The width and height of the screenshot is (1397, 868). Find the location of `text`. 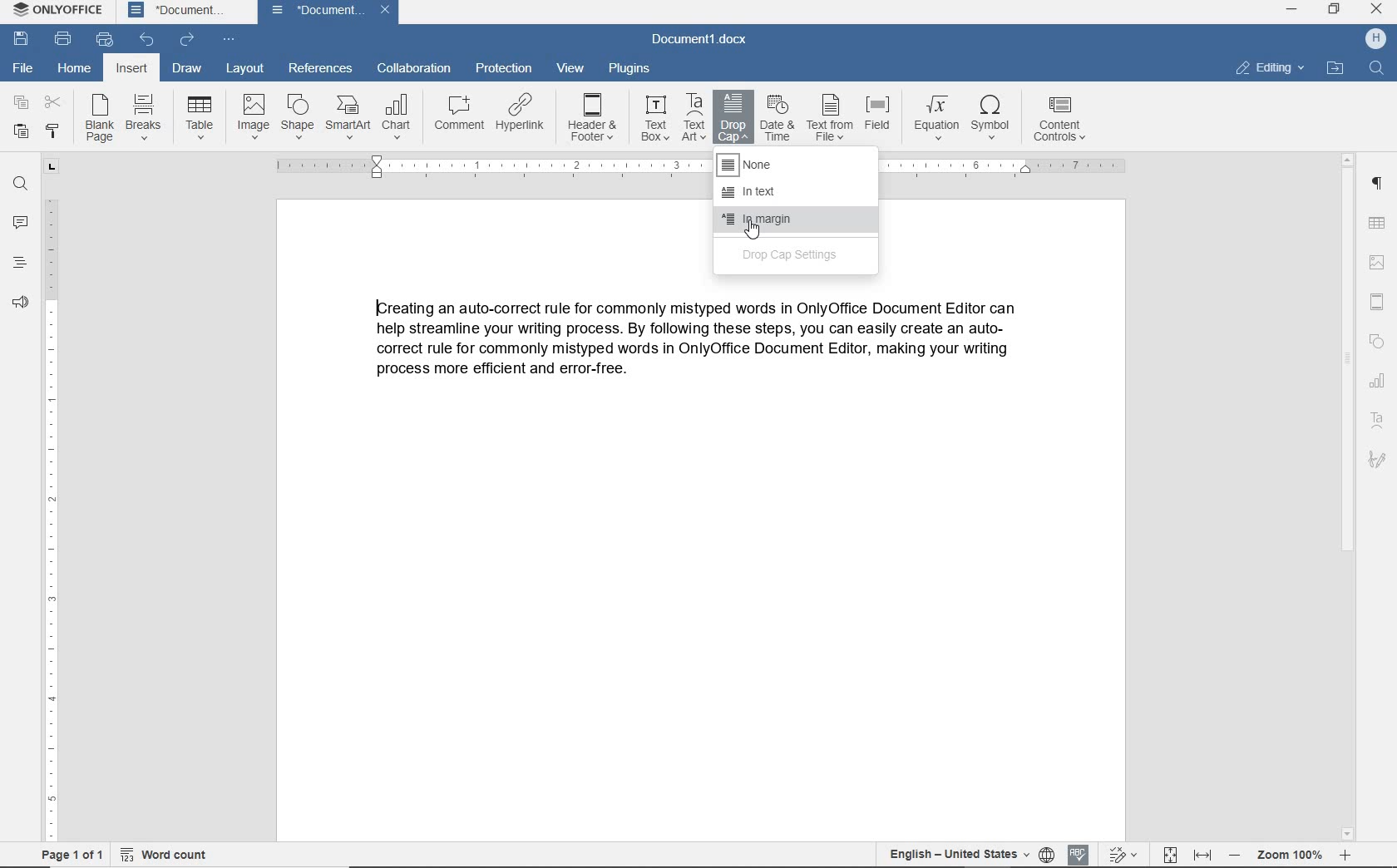

text is located at coordinates (703, 355).